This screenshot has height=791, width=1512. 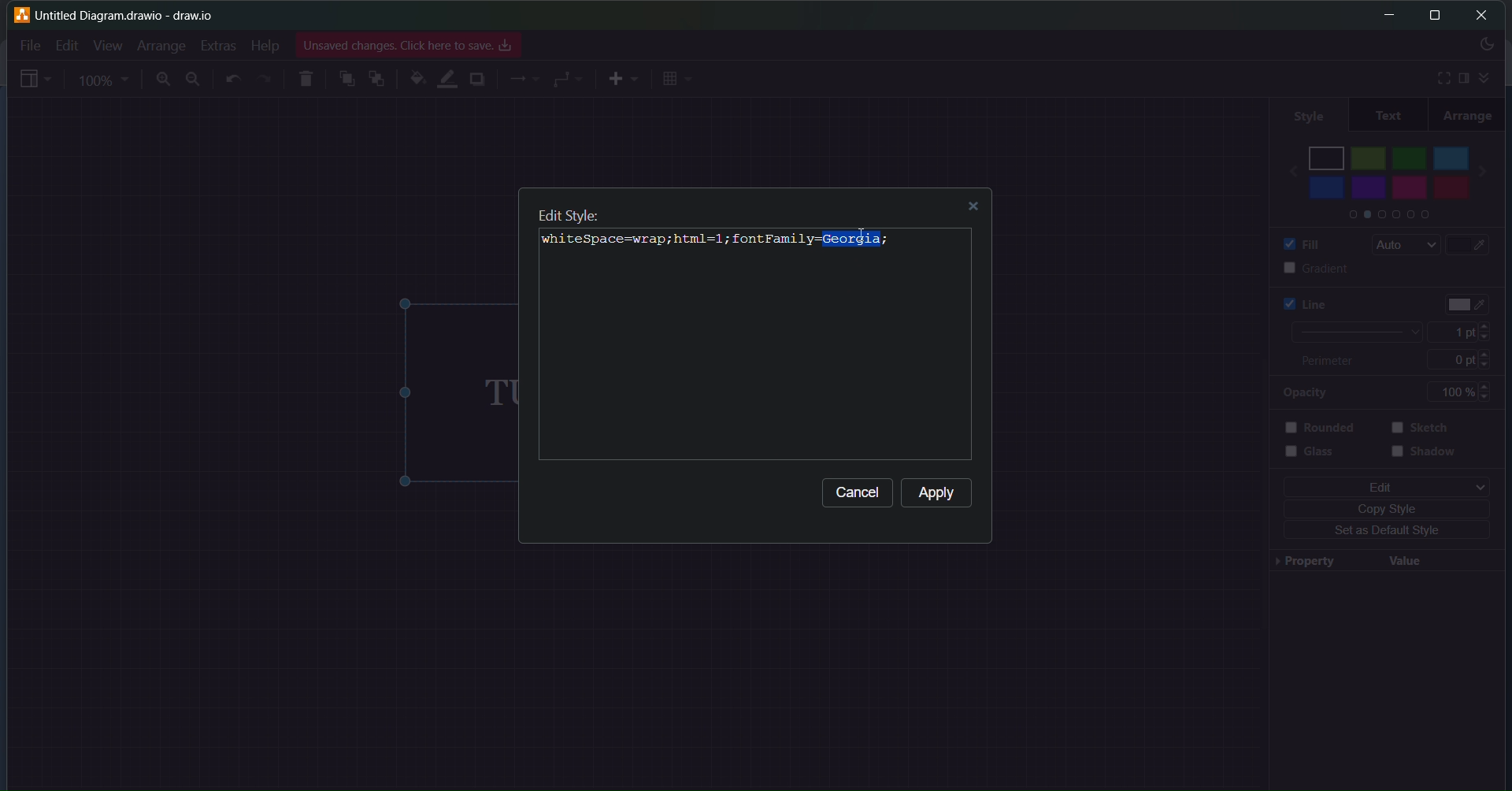 What do you see at coordinates (409, 46) in the screenshot?
I see `Unsaved changes. Click here to save. os` at bounding box center [409, 46].